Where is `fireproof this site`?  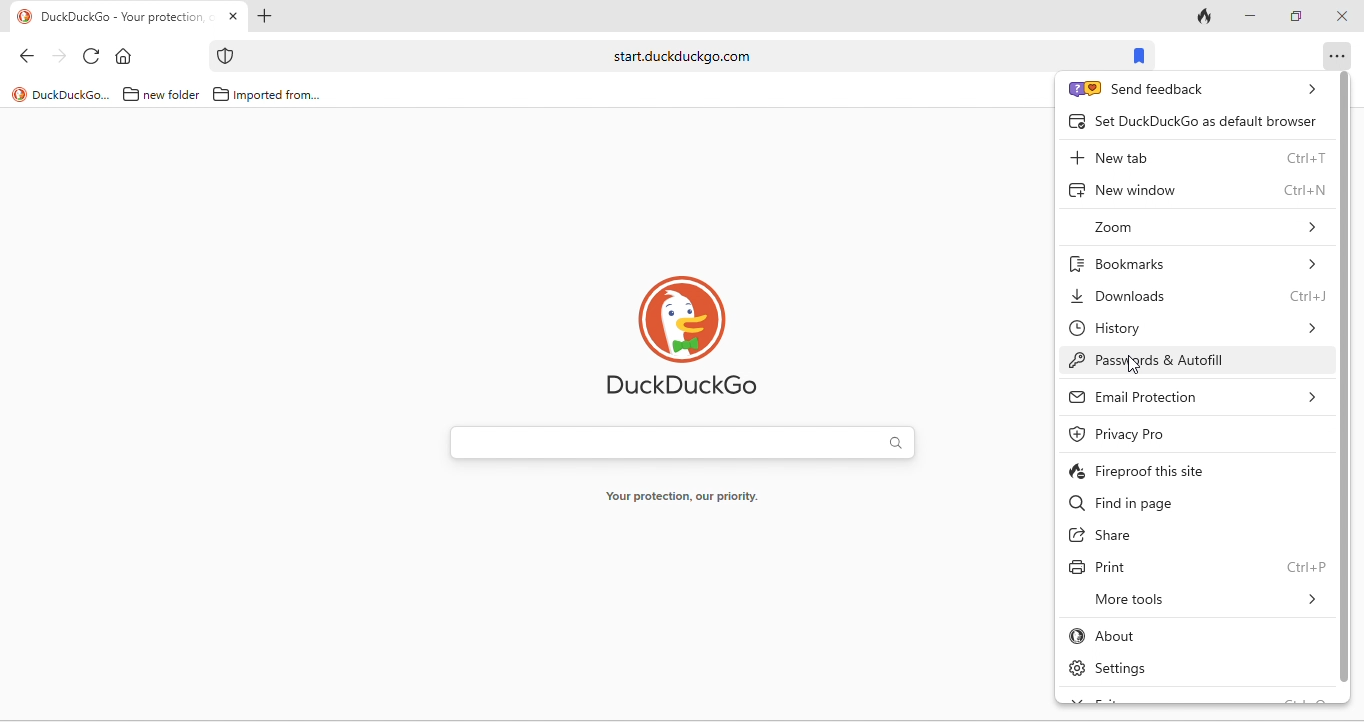 fireproof this site is located at coordinates (1200, 473).